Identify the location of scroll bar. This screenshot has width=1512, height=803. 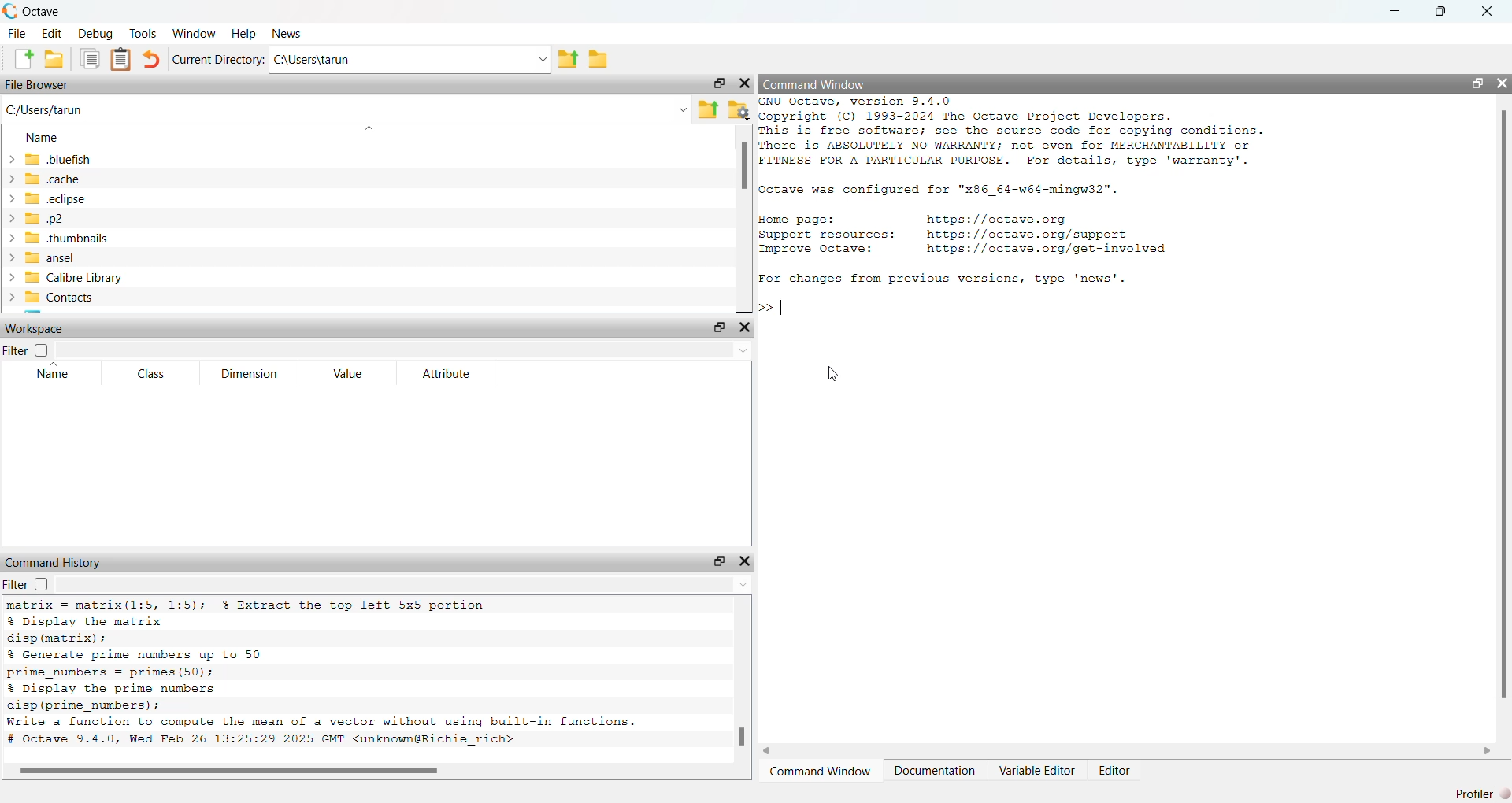
(1505, 402).